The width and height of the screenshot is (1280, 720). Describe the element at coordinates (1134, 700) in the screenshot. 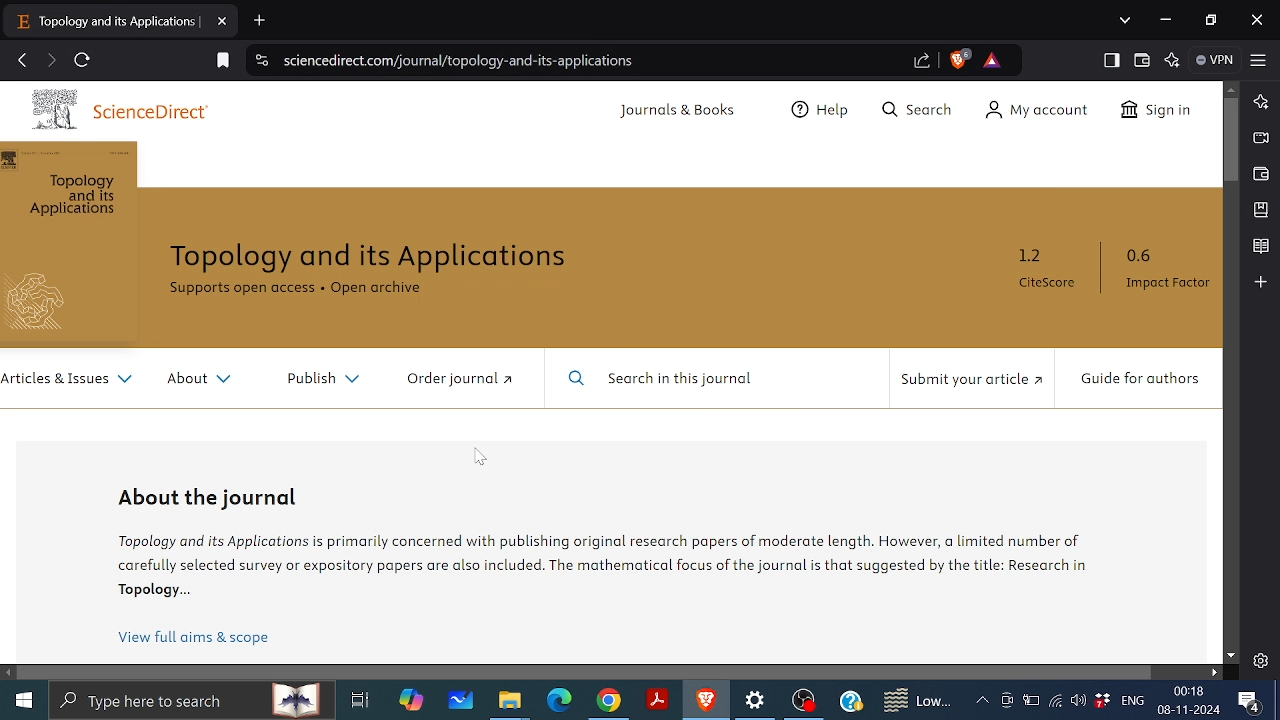

I see `ENG` at that location.